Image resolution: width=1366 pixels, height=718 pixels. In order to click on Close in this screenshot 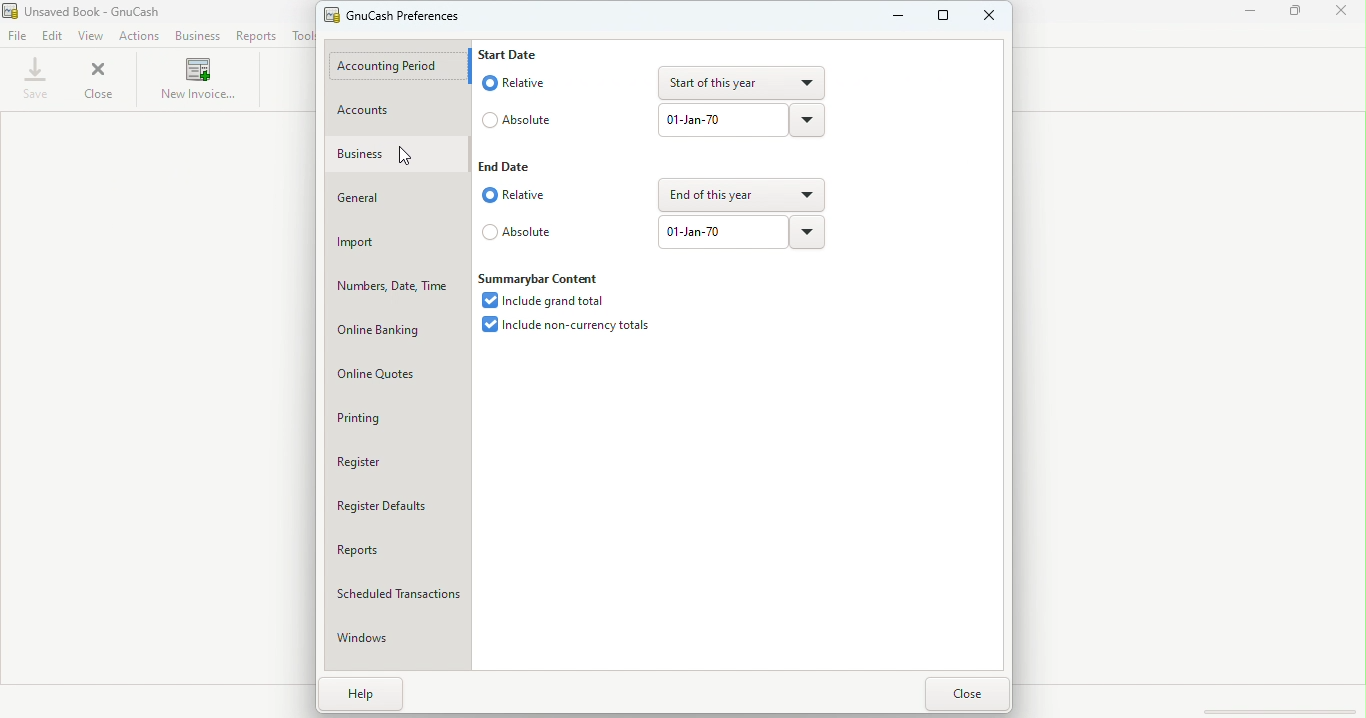, I will do `click(969, 694)`.